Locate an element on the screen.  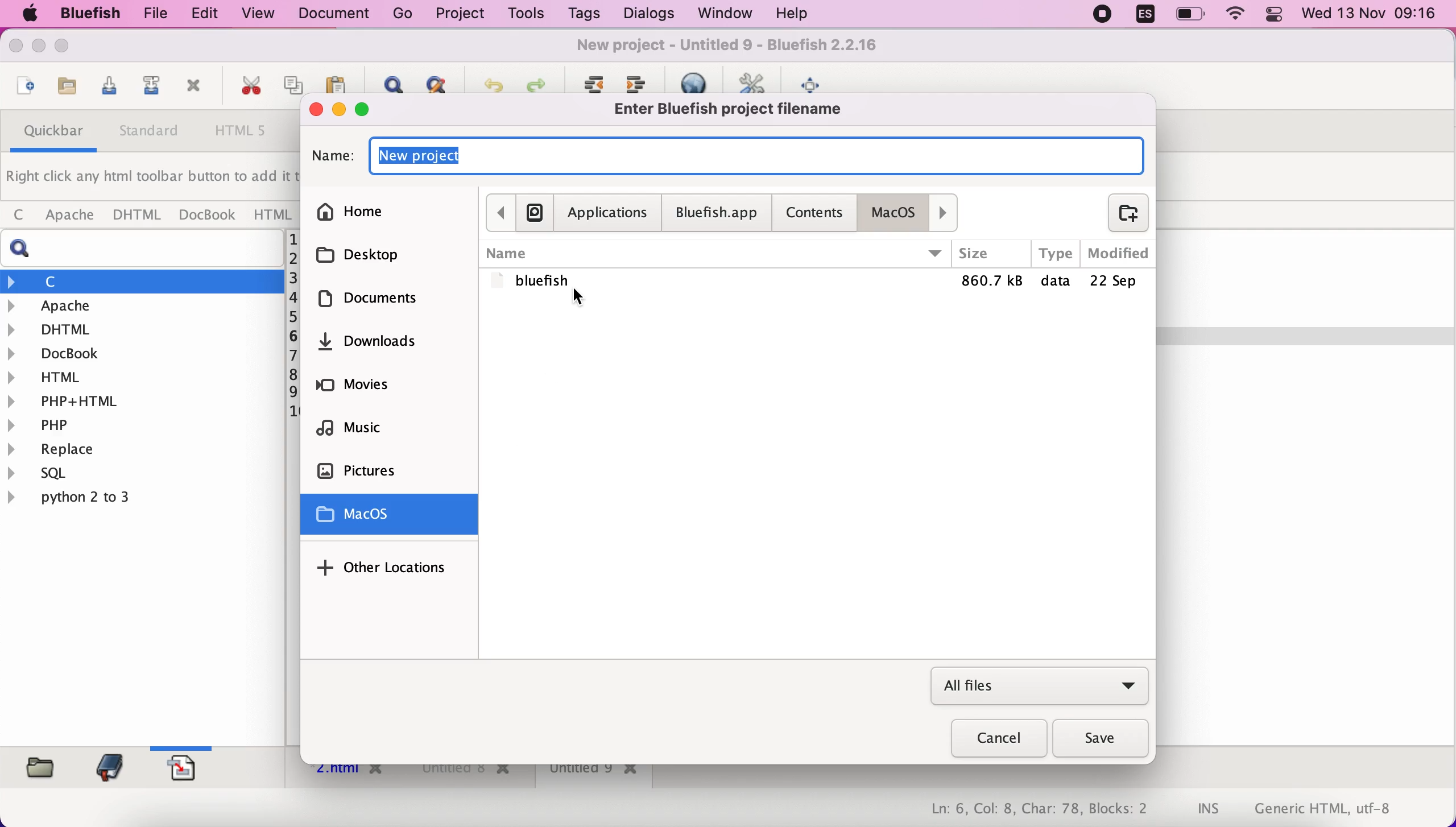
generic html is located at coordinates (1341, 808).